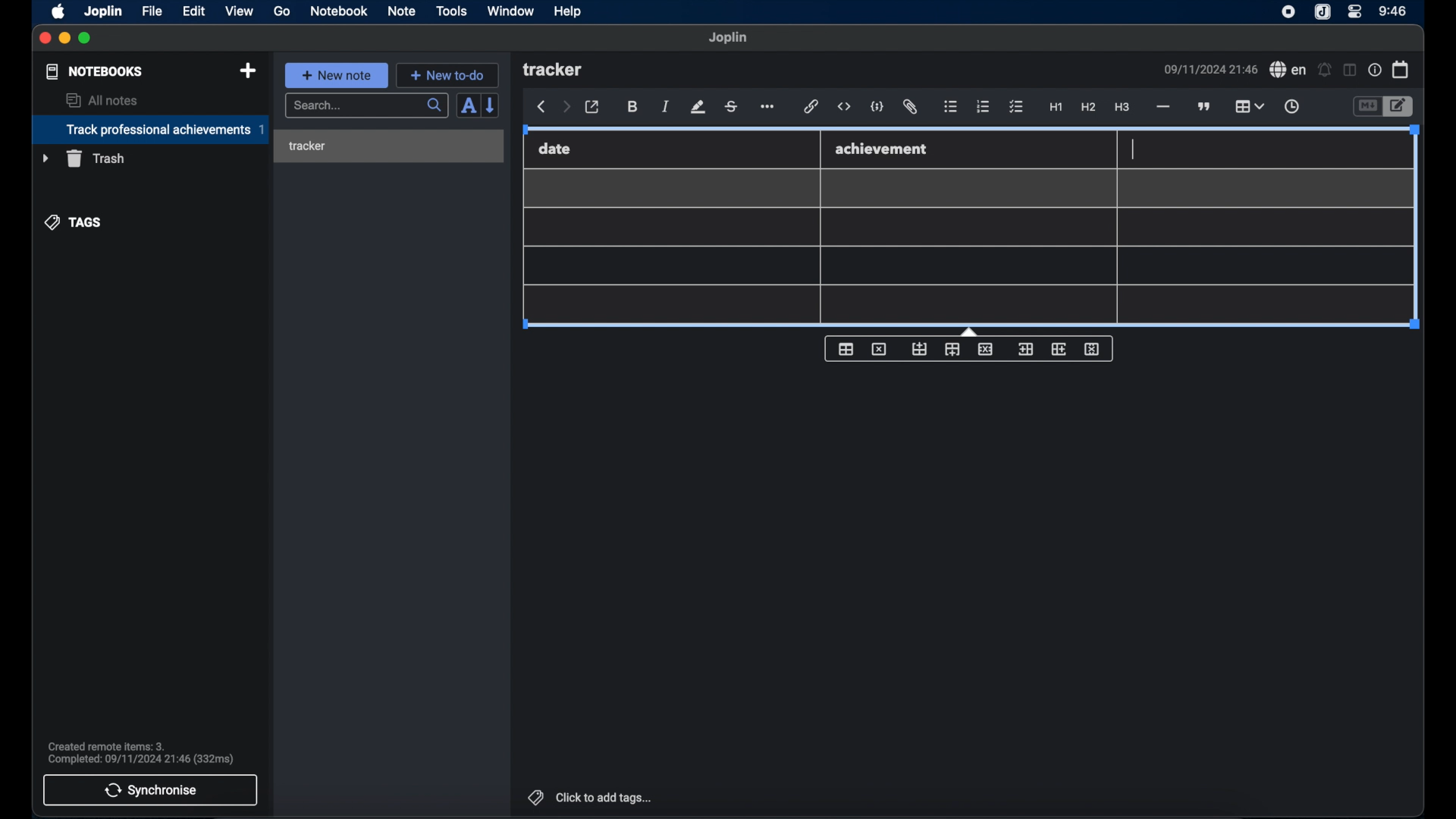  I want to click on click to add tags, so click(588, 797).